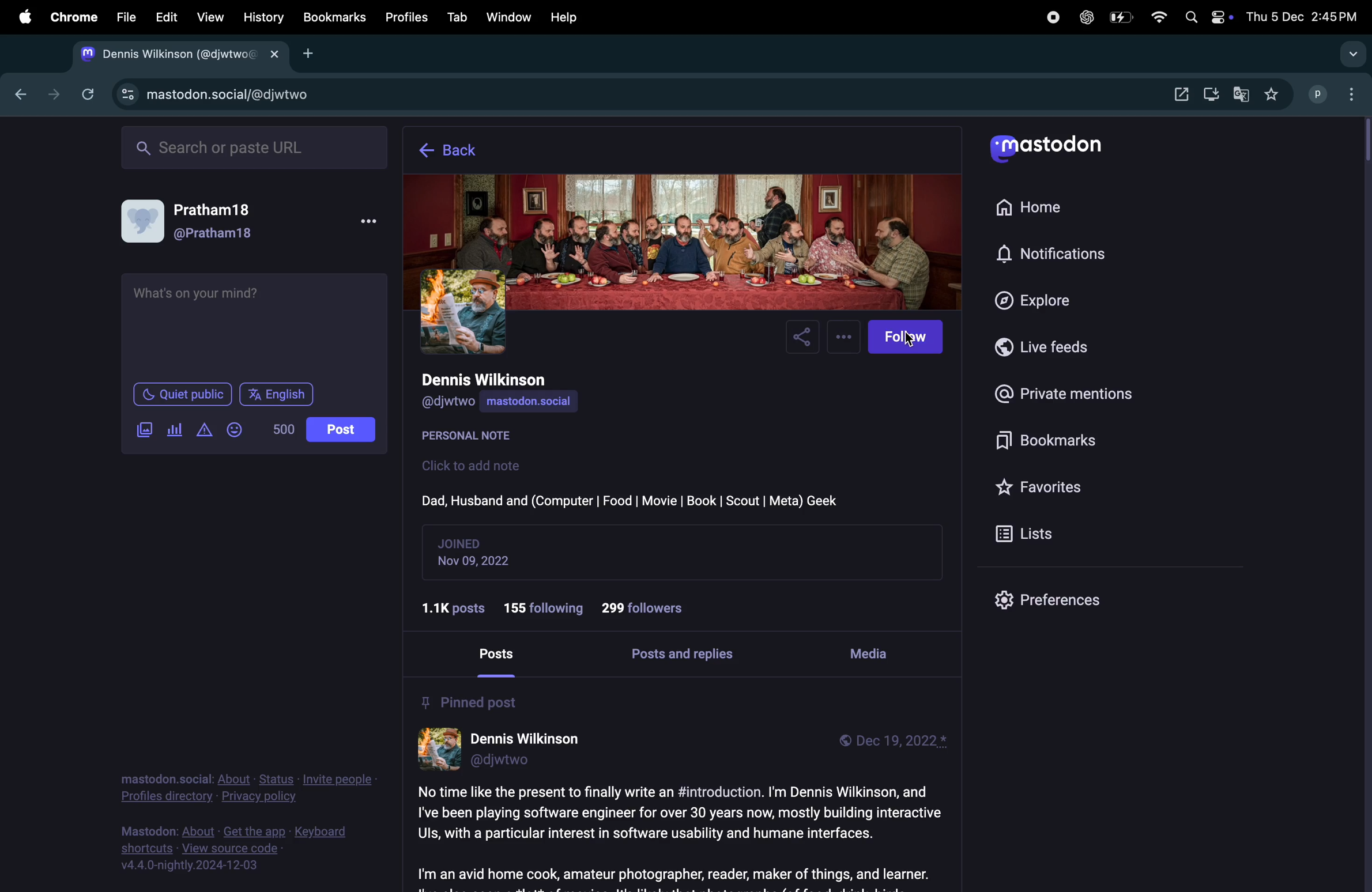 This screenshot has height=892, width=1372. Describe the element at coordinates (909, 338) in the screenshot. I see `follow` at that location.